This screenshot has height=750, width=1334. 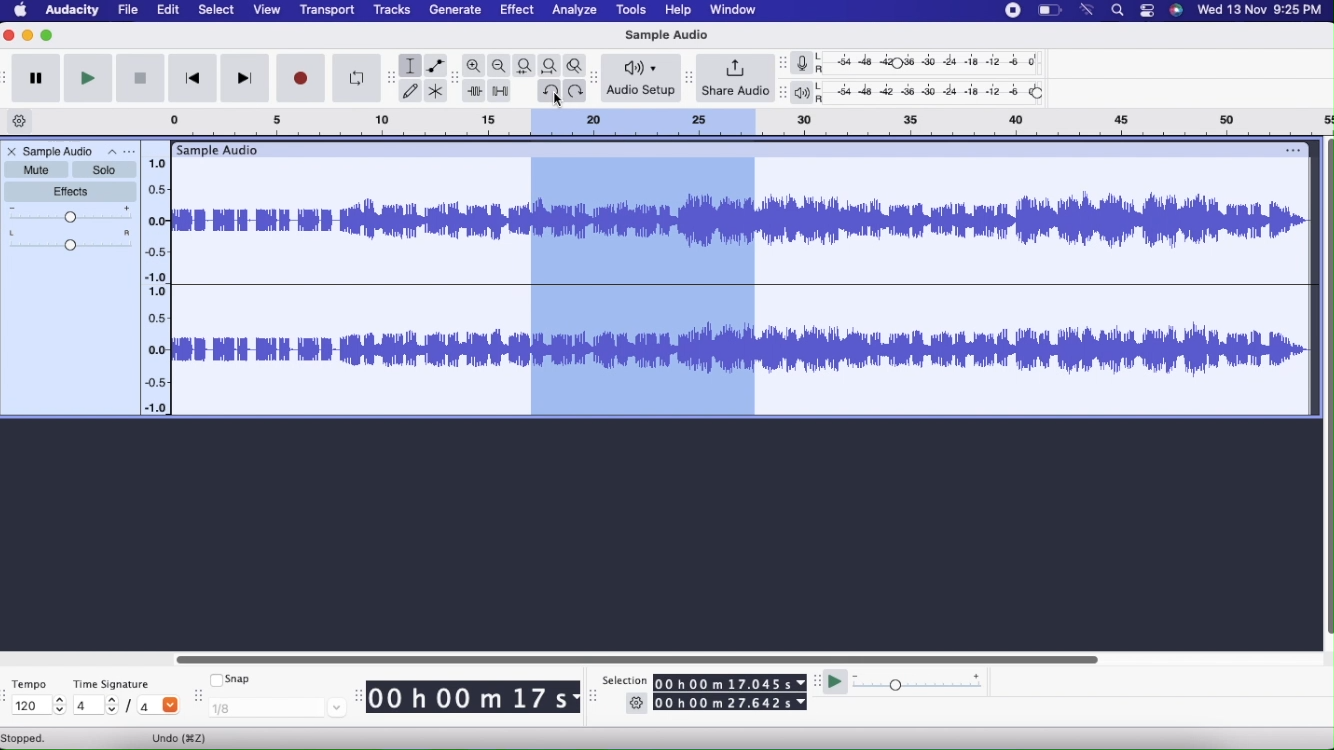 What do you see at coordinates (499, 65) in the screenshot?
I see `Zoom out` at bounding box center [499, 65].